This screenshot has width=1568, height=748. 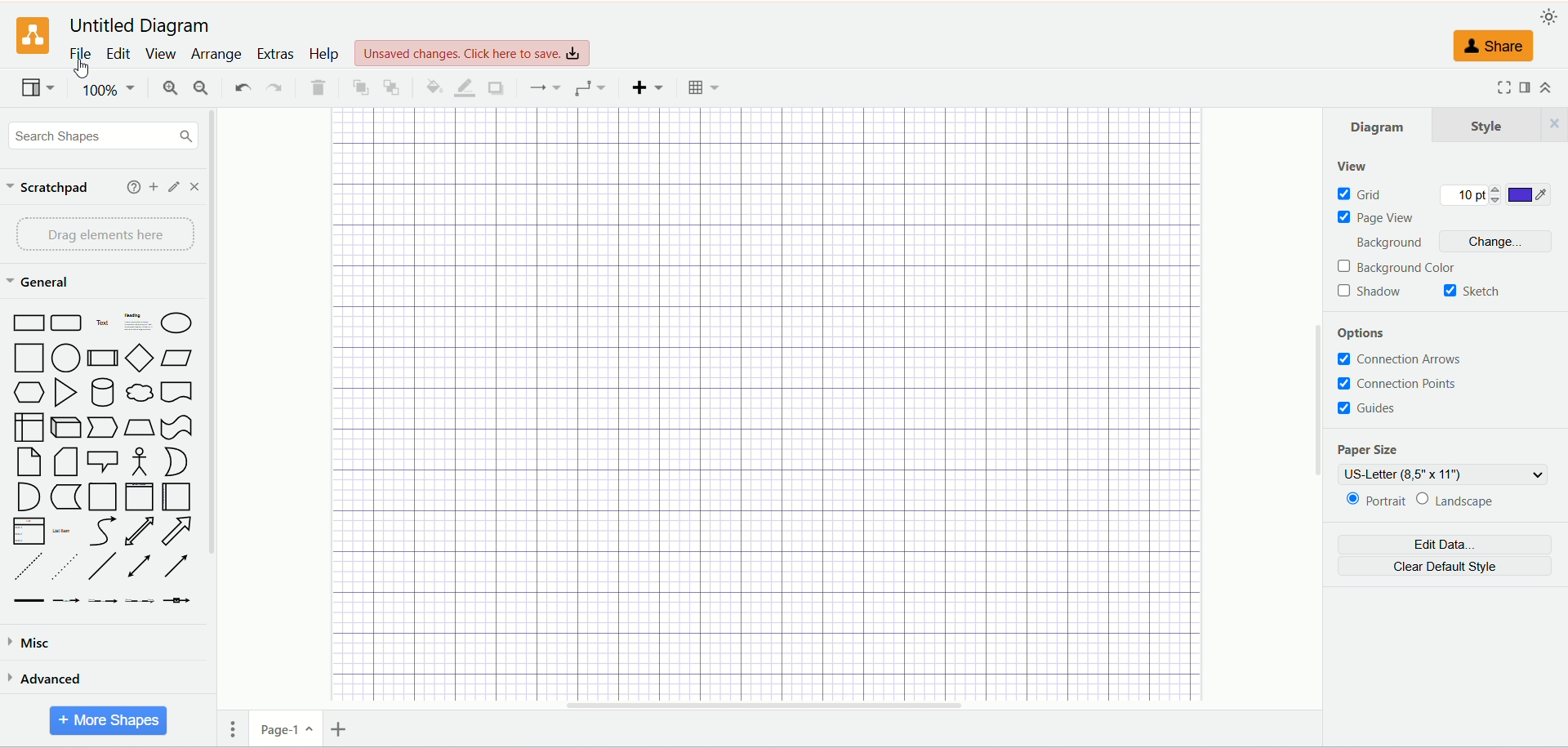 I want to click on List Item, so click(x=60, y=529).